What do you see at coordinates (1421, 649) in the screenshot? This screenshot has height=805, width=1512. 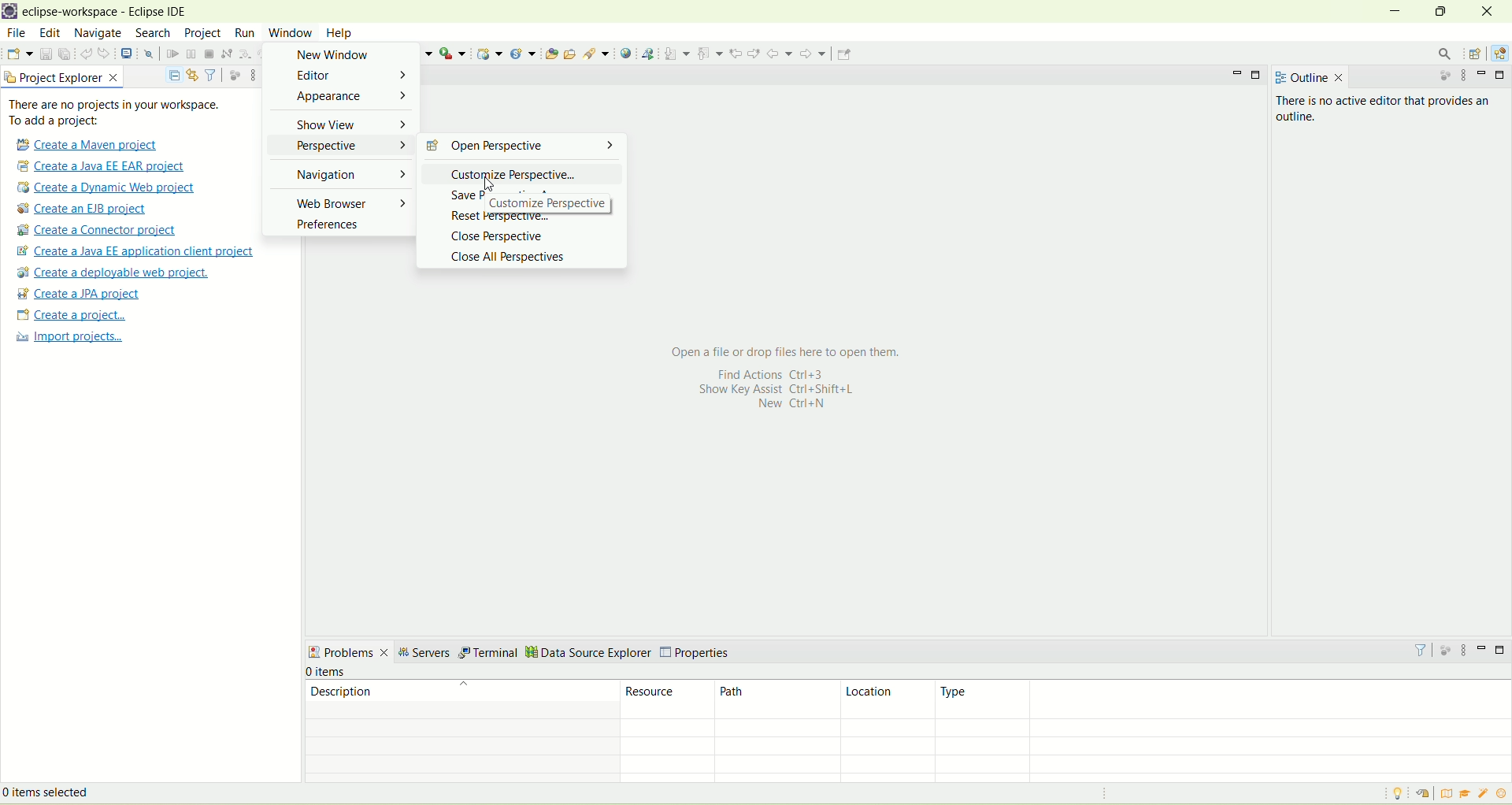 I see `filter` at bounding box center [1421, 649].